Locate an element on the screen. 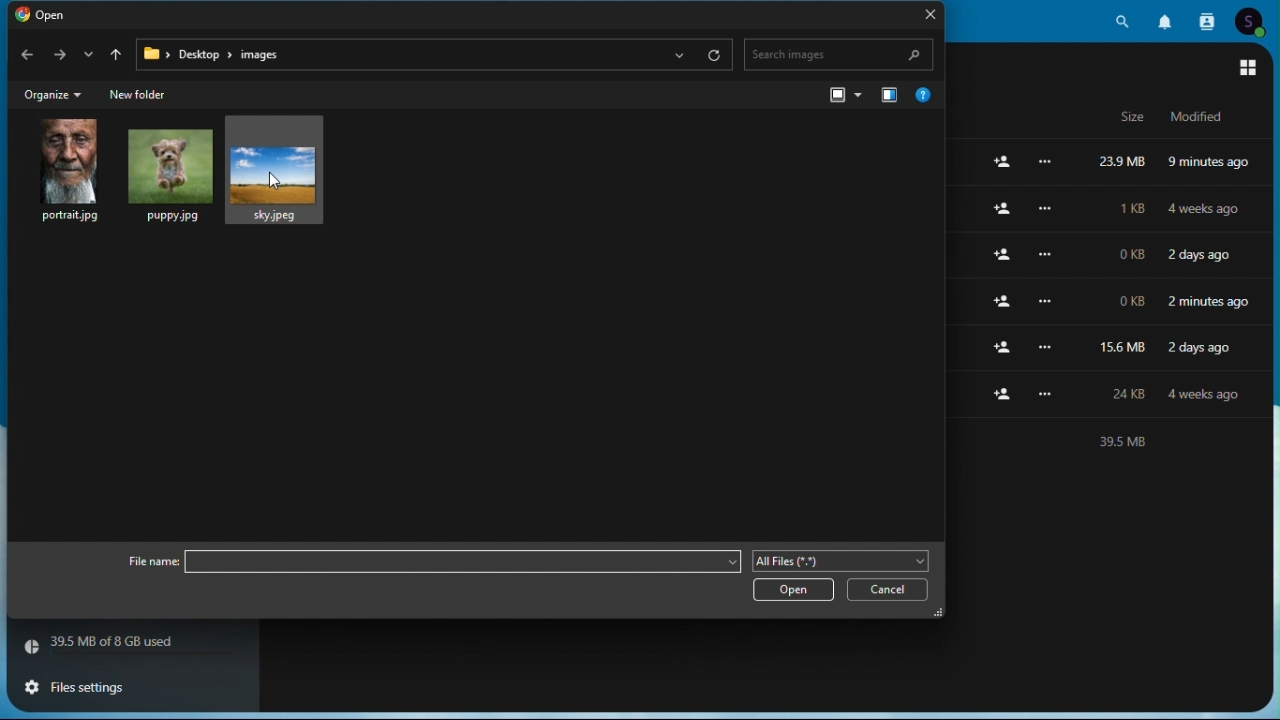  up is located at coordinates (117, 58).